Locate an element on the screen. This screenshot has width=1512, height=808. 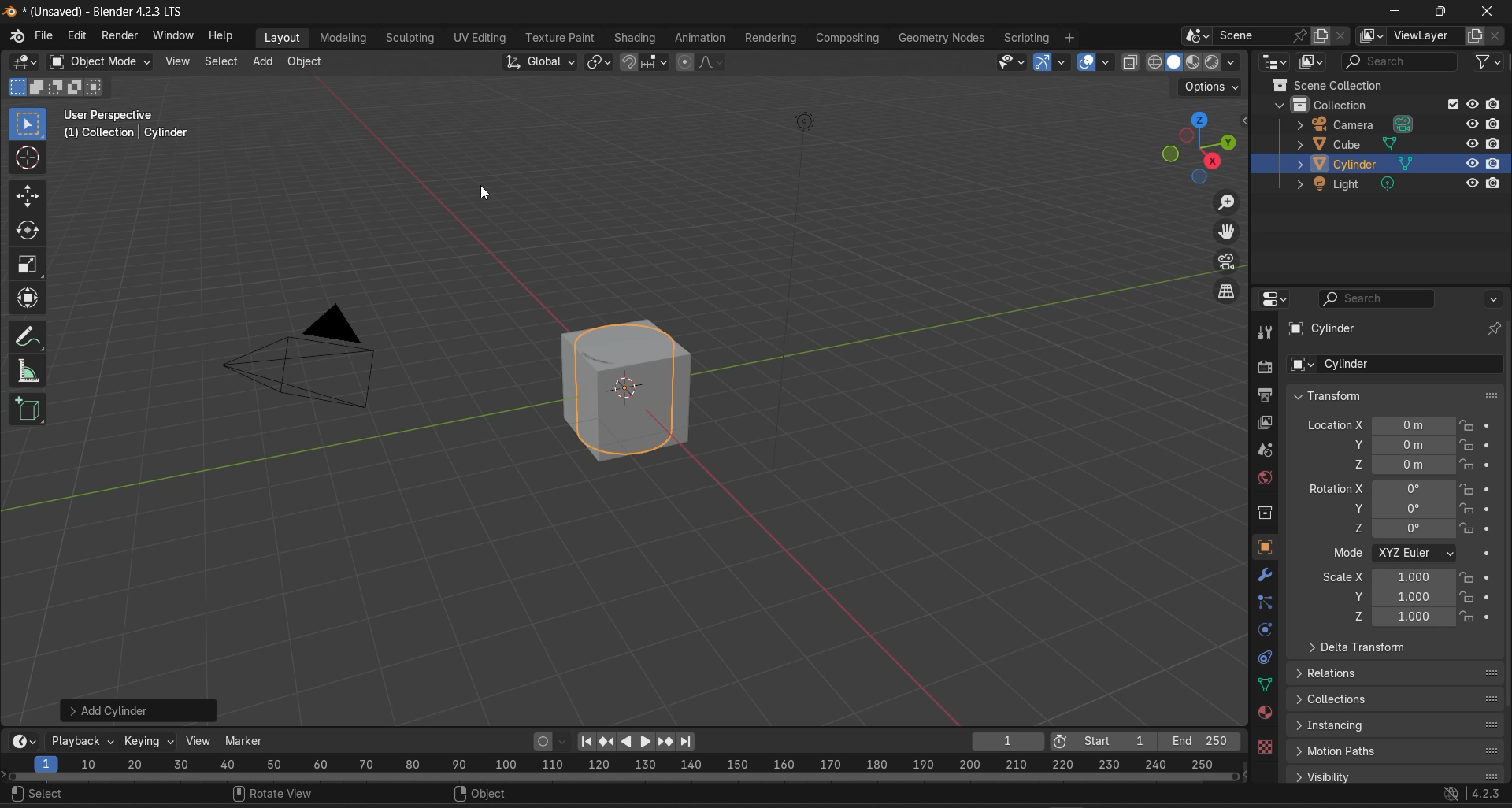
hide in view port is located at coordinates (1473, 105).